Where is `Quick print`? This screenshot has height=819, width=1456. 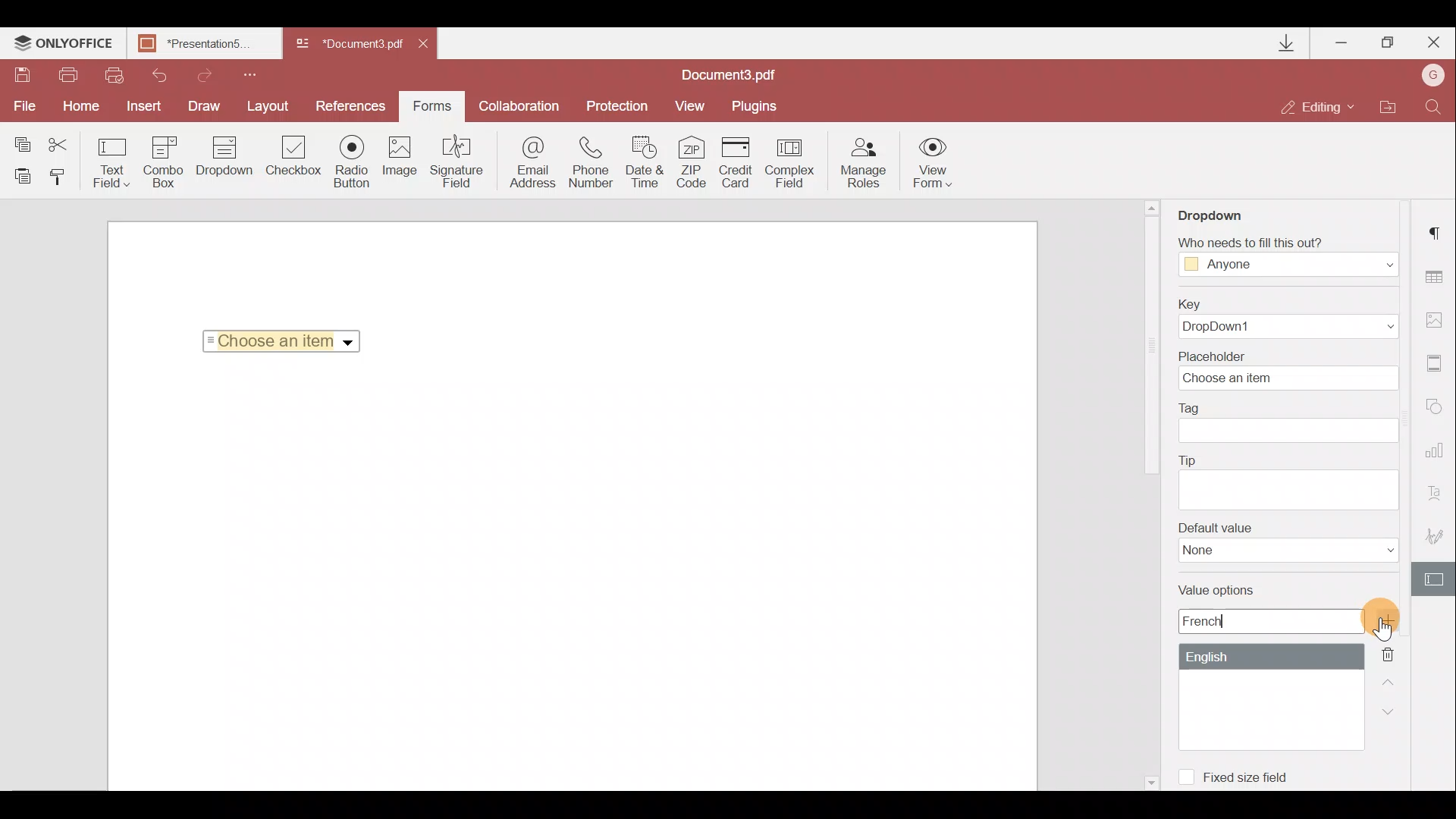
Quick print is located at coordinates (112, 74).